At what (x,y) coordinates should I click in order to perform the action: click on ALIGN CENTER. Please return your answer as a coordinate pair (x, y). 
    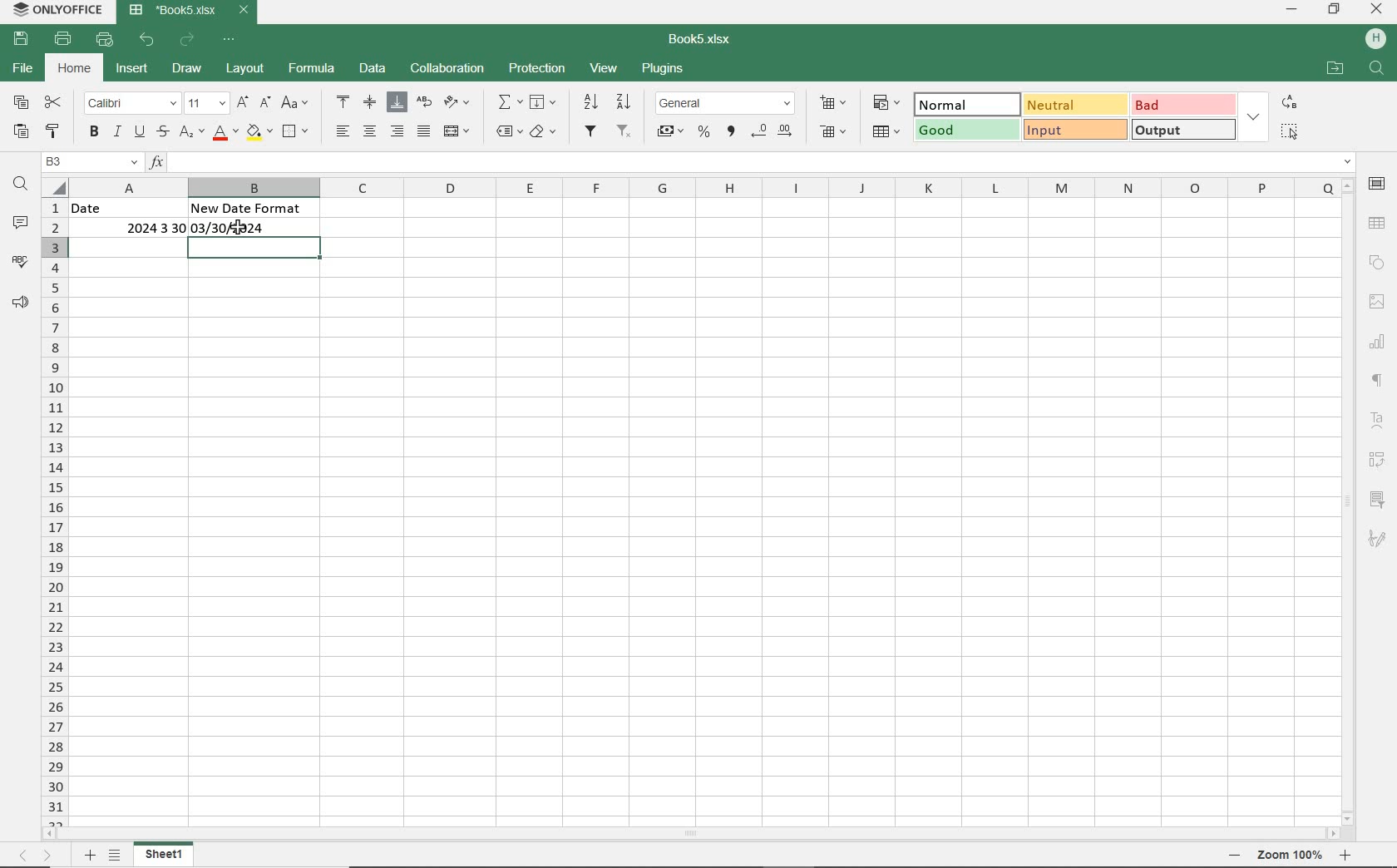
    Looking at the image, I should click on (370, 132).